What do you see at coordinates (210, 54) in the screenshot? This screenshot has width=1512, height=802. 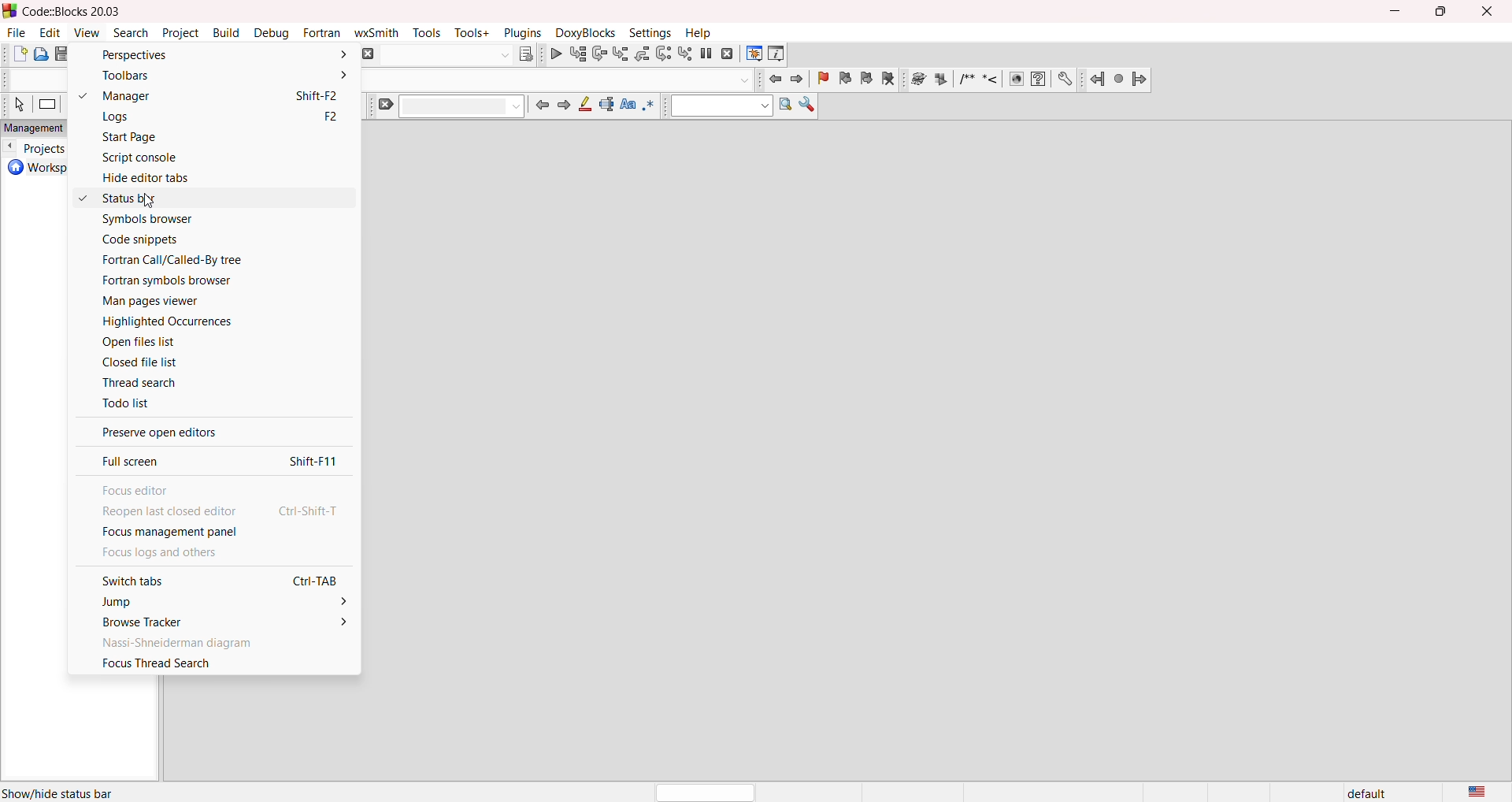 I see `perspectives` at bounding box center [210, 54].